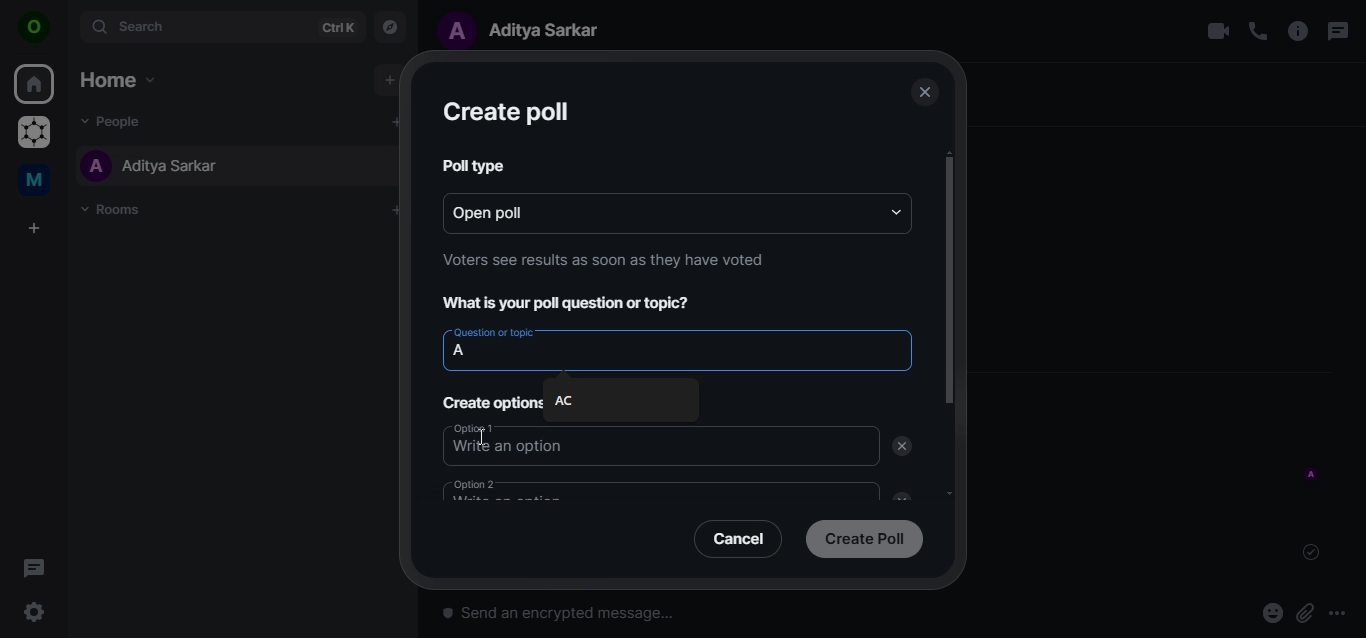  I want to click on scrollbar, so click(947, 281).